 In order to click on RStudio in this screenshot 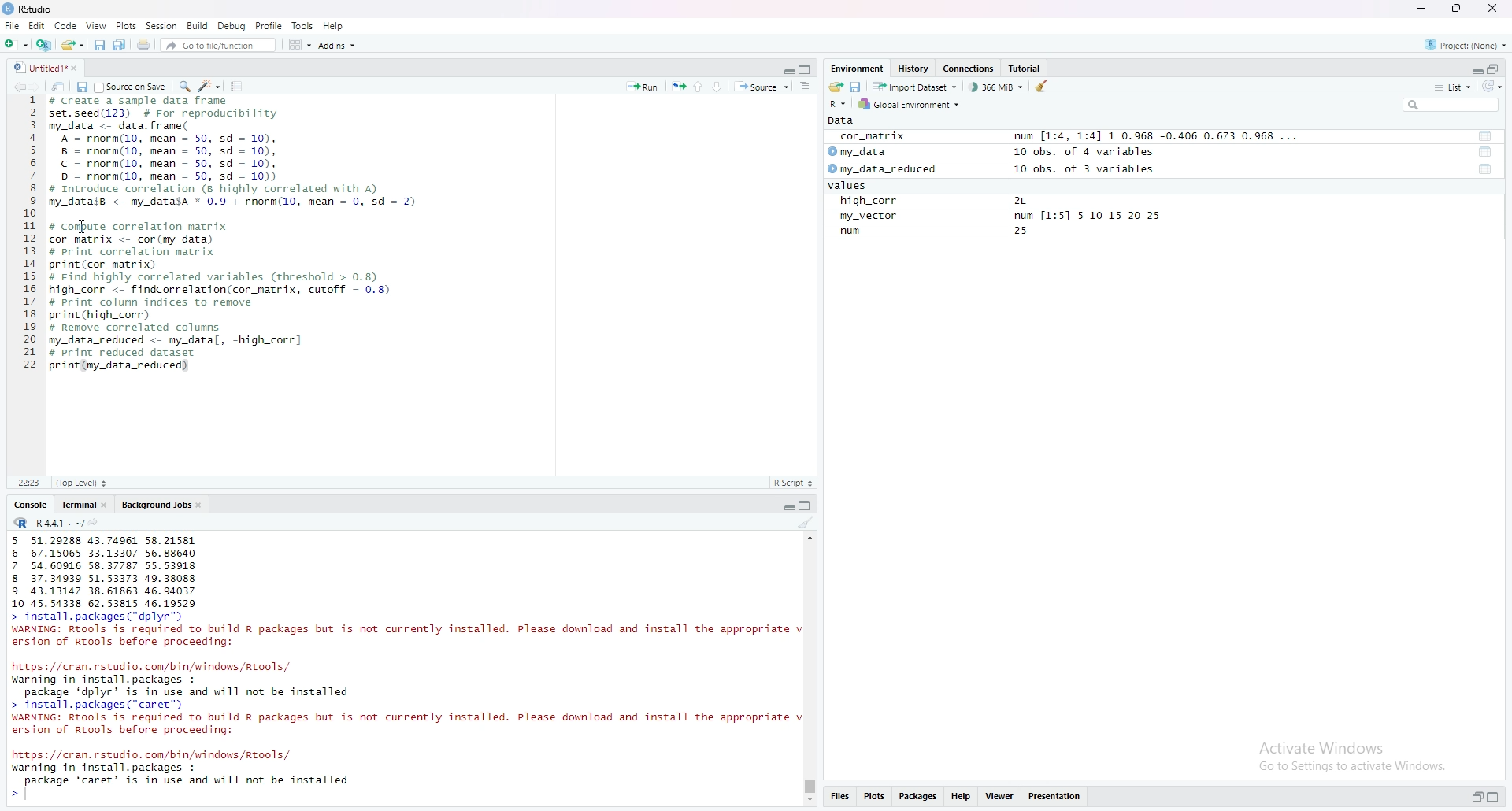, I will do `click(38, 9)`.